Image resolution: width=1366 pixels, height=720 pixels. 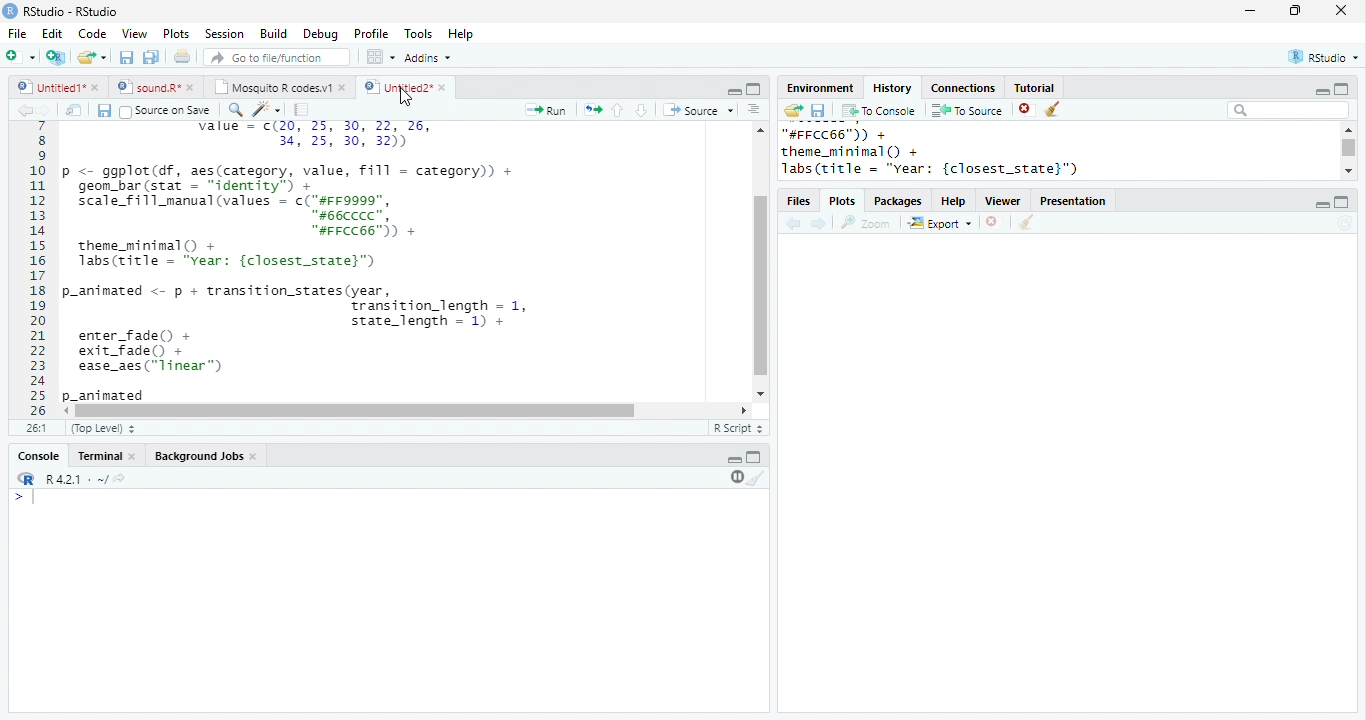 I want to click on Untitled1, so click(x=47, y=86).